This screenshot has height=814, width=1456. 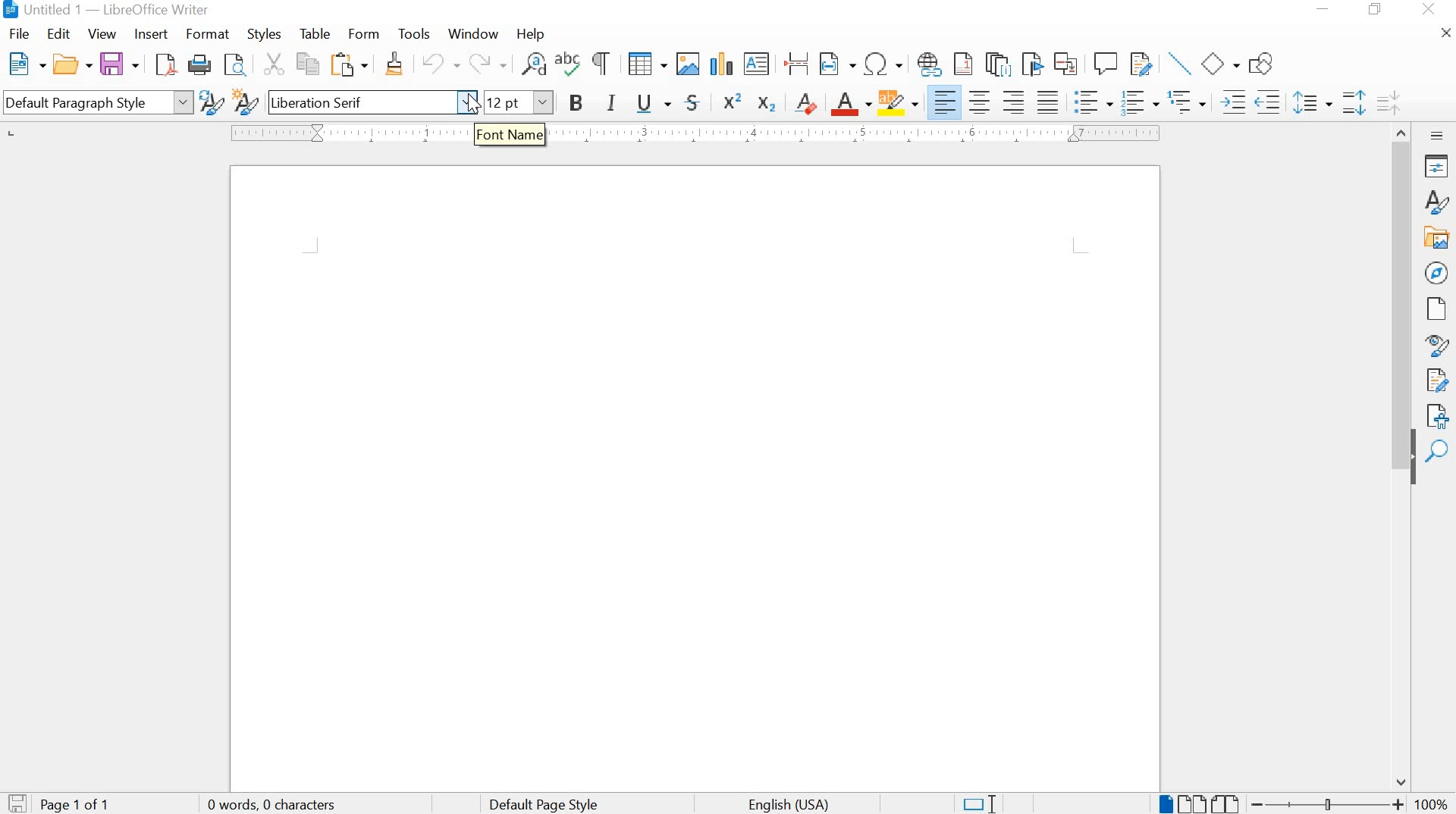 What do you see at coordinates (805, 104) in the screenshot?
I see `CLEAR DIRECT FORMATTING` at bounding box center [805, 104].